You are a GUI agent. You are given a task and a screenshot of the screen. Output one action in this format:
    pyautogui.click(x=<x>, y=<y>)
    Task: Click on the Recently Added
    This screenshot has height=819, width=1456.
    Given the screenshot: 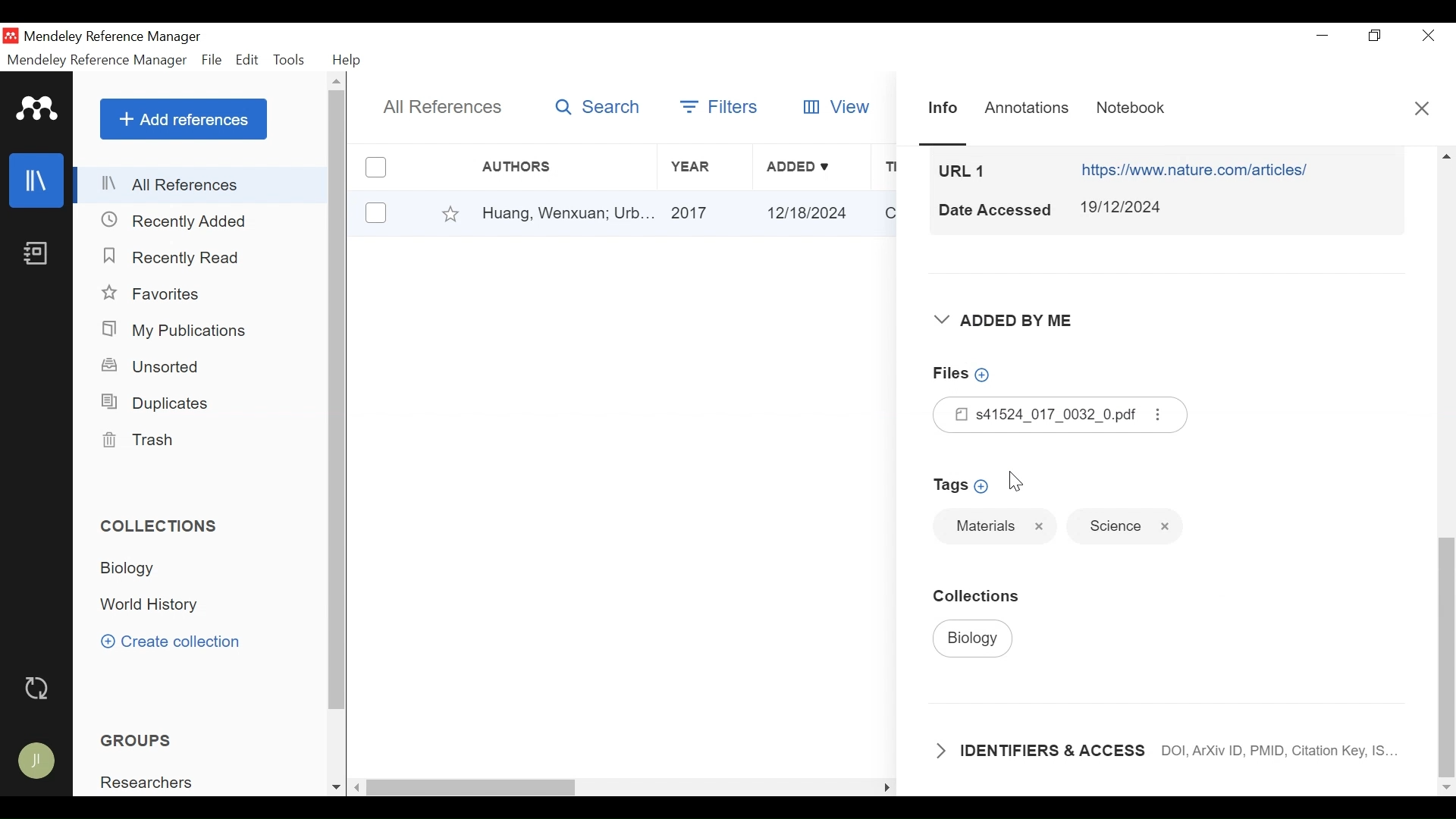 What is the action you would take?
    pyautogui.click(x=178, y=221)
    